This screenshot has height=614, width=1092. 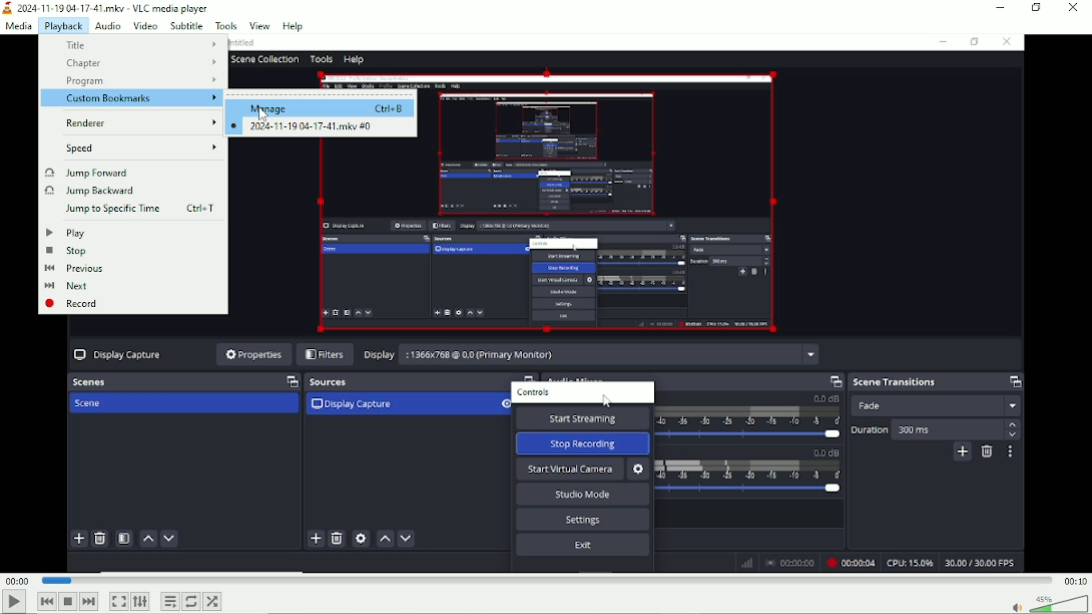 What do you see at coordinates (140, 124) in the screenshot?
I see `renderer` at bounding box center [140, 124].